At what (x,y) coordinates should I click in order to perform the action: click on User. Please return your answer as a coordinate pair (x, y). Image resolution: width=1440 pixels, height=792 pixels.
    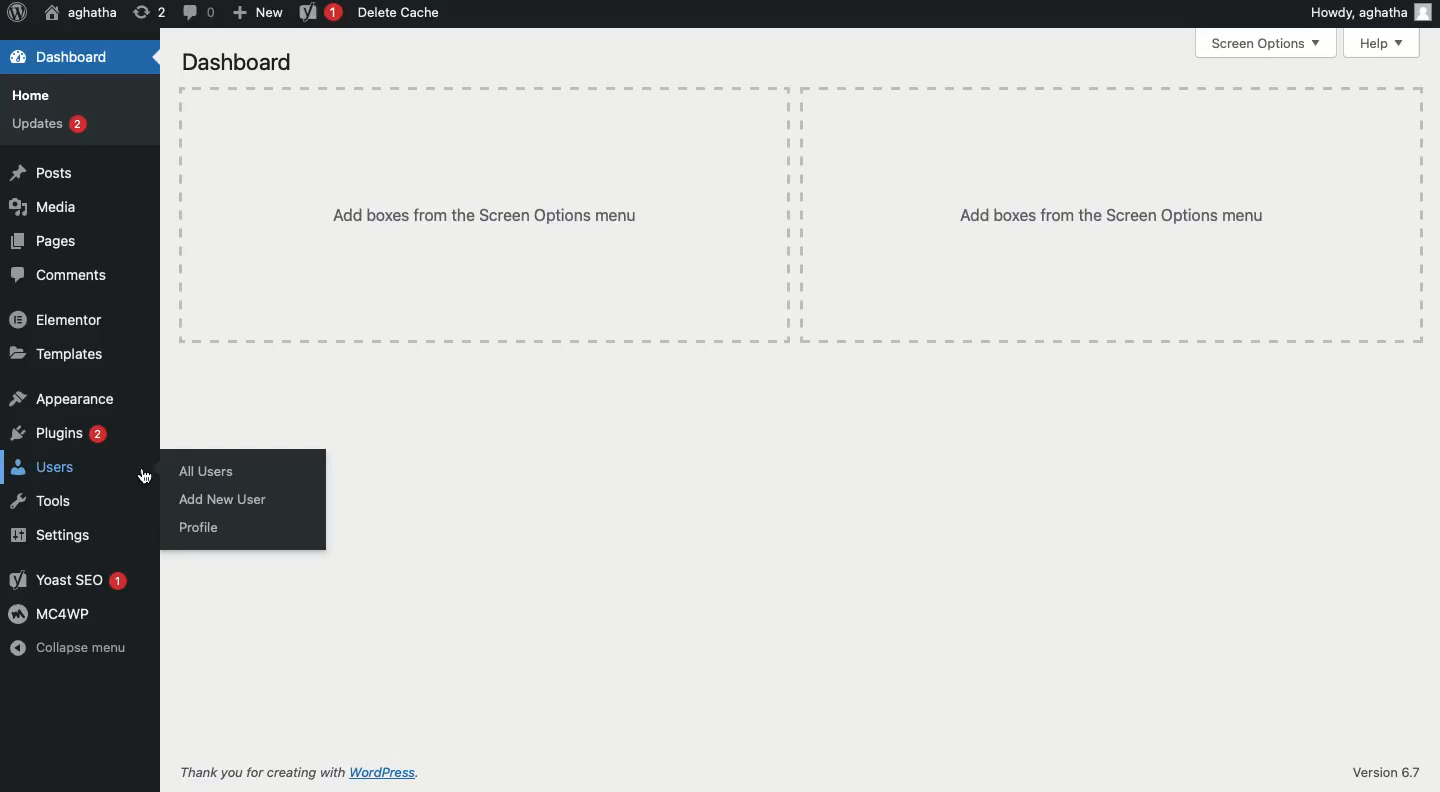
    Looking at the image, I should click on (82, 12).